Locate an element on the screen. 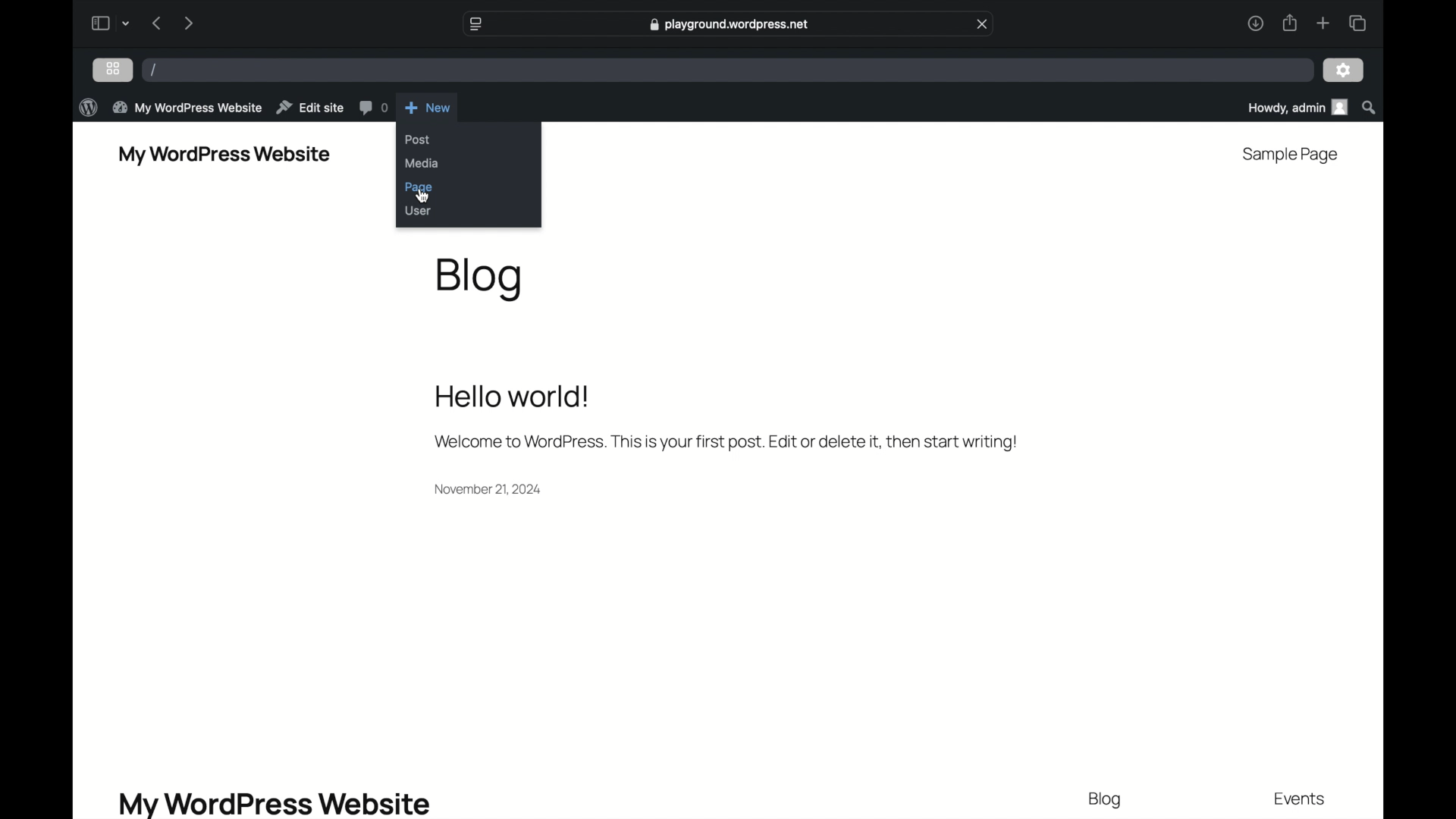 The height and width of the screenshot is (819, 1456). grid view is located at coordinates (113, 68).